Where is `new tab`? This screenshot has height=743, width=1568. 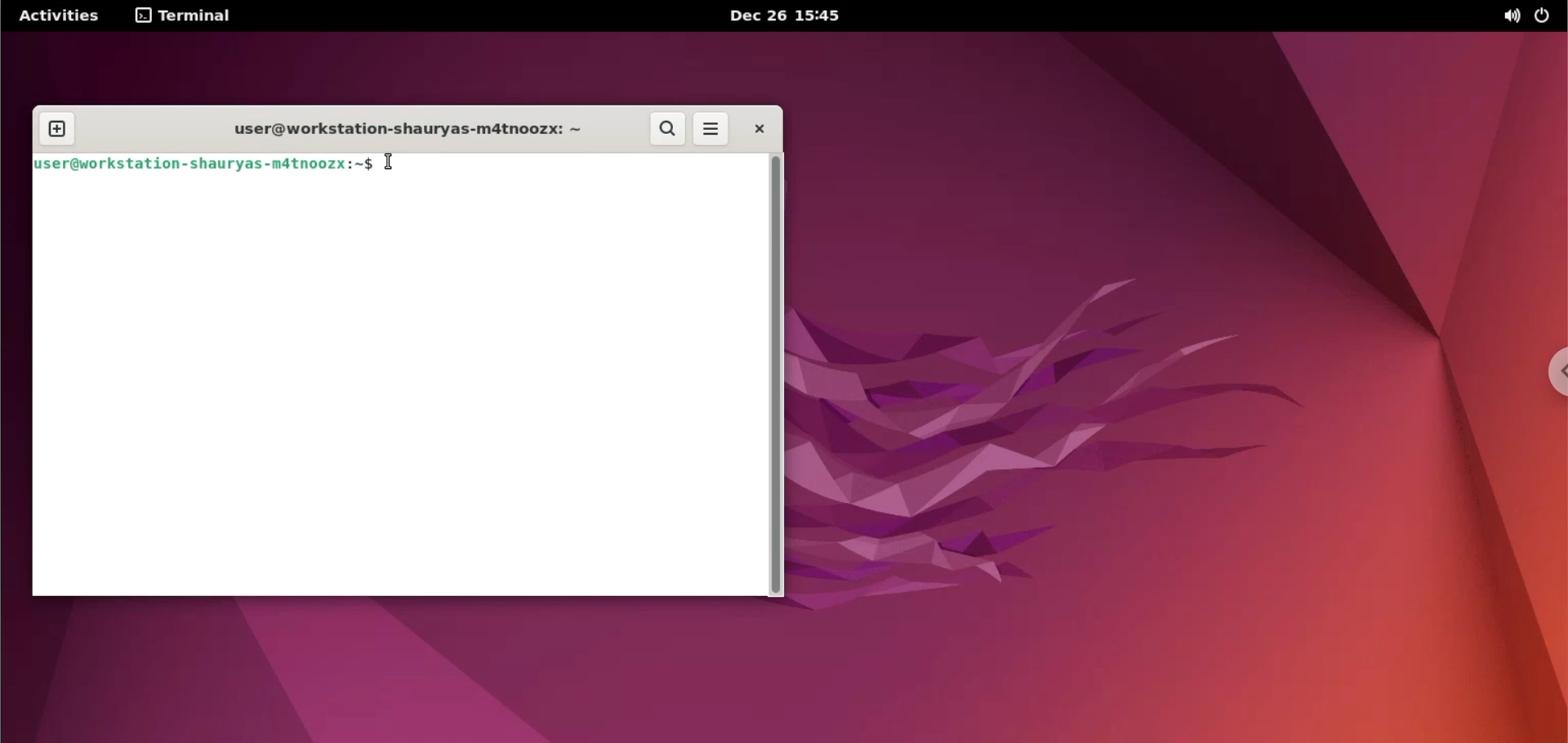
new tab is located at coordinates (58, 130).